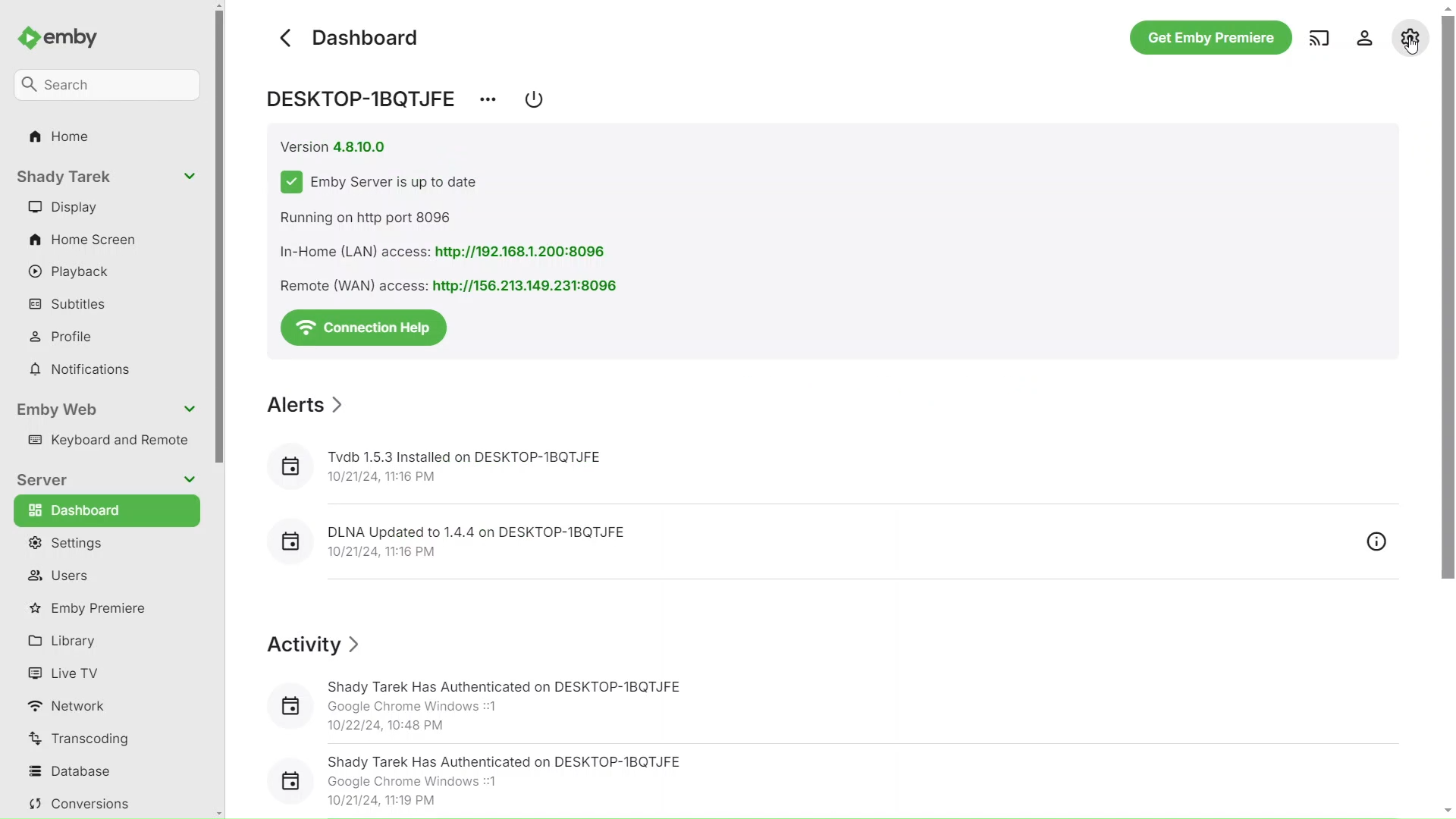  Describe the element at coordinates (78, 805) in the screenshot. I see `¢) Conversions` at that location.